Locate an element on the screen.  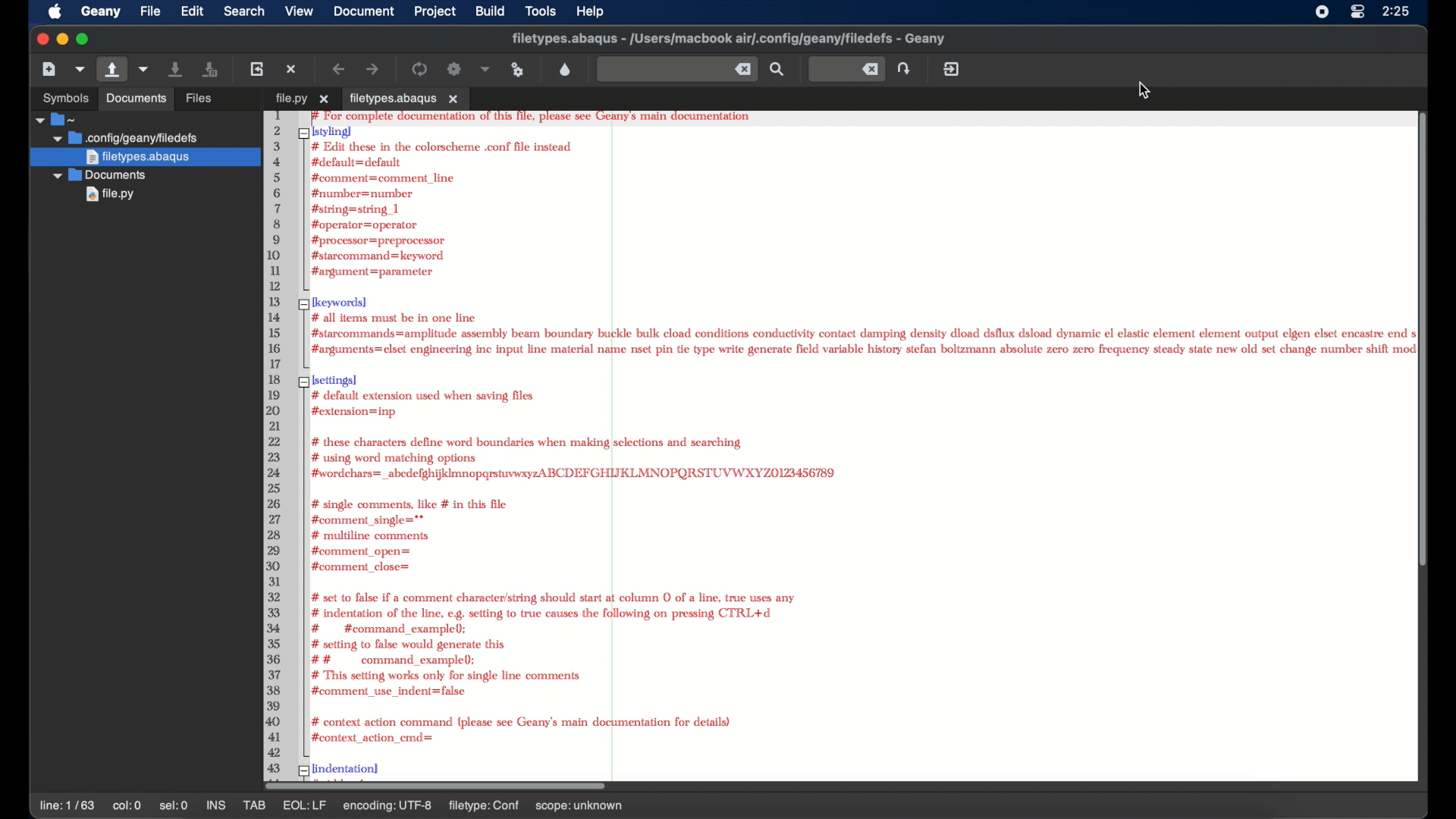
geany is located at coordinates (733, 40).